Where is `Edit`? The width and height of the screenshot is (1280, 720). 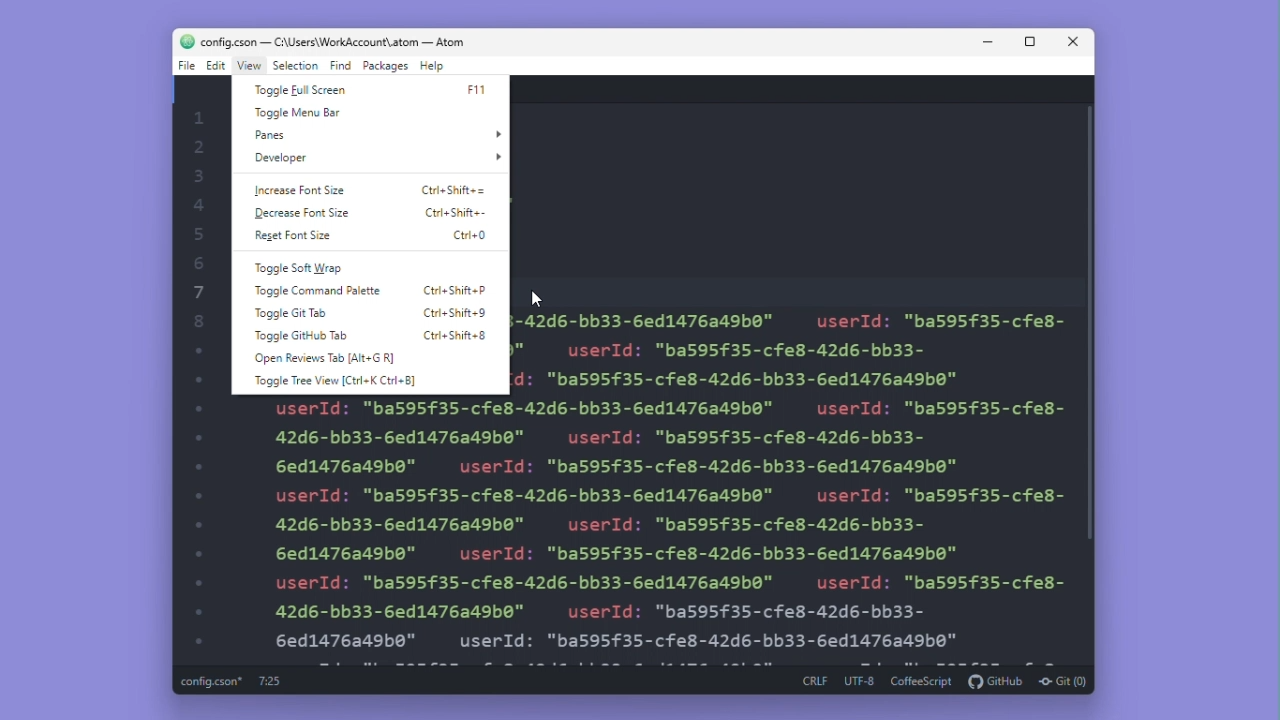
Edit is located at coordinates (216, 67).